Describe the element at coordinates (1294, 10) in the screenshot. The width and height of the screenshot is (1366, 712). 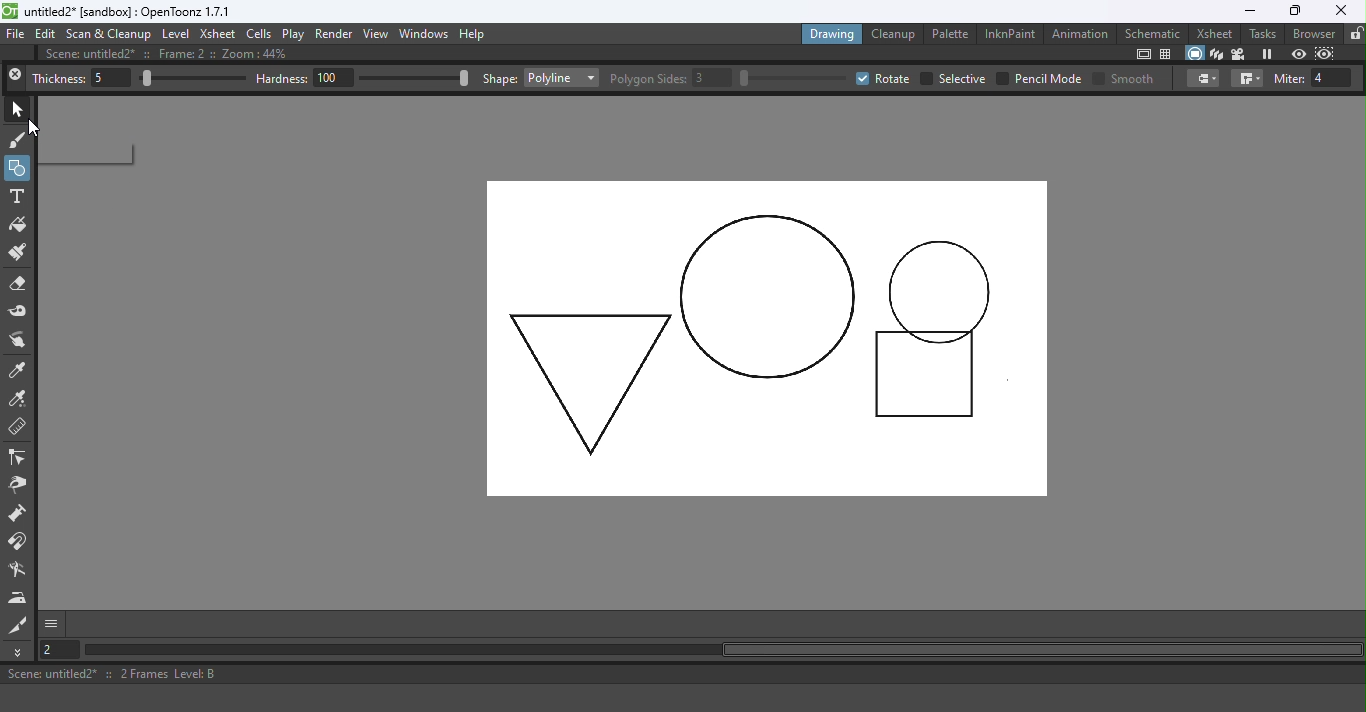
I see `Maximize` at that location.